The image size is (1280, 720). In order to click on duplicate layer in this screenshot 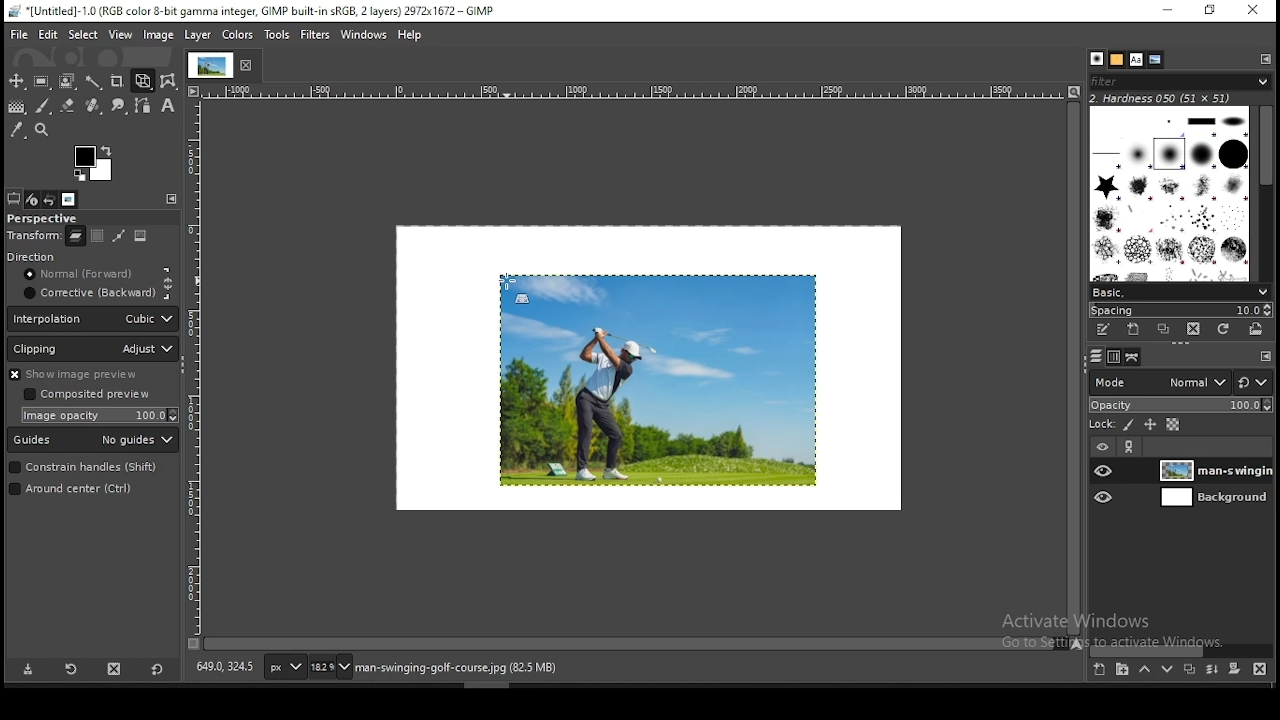, I will do `click(1190, 668)`.